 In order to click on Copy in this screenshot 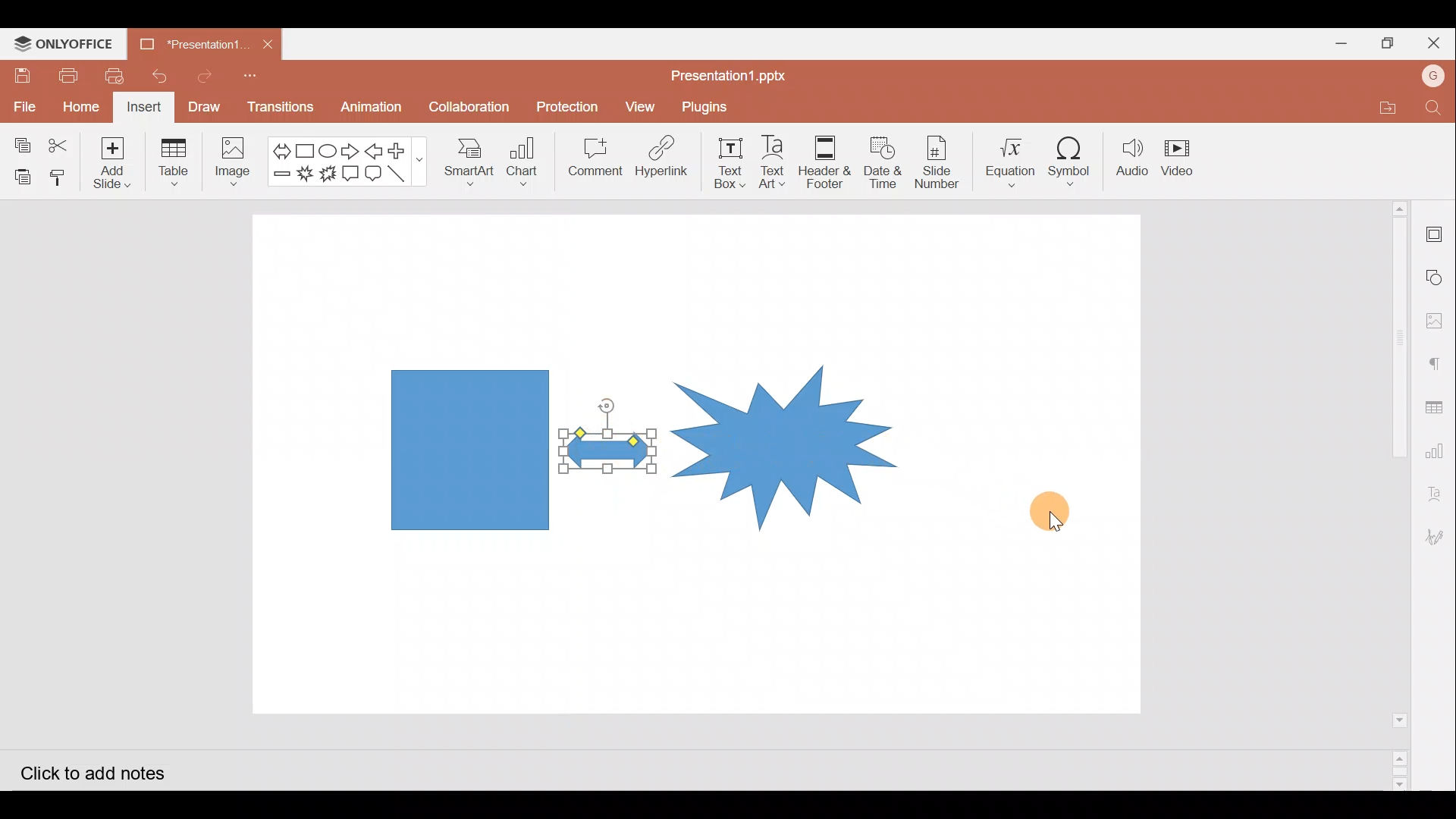, I will do `click(19, 140)`.